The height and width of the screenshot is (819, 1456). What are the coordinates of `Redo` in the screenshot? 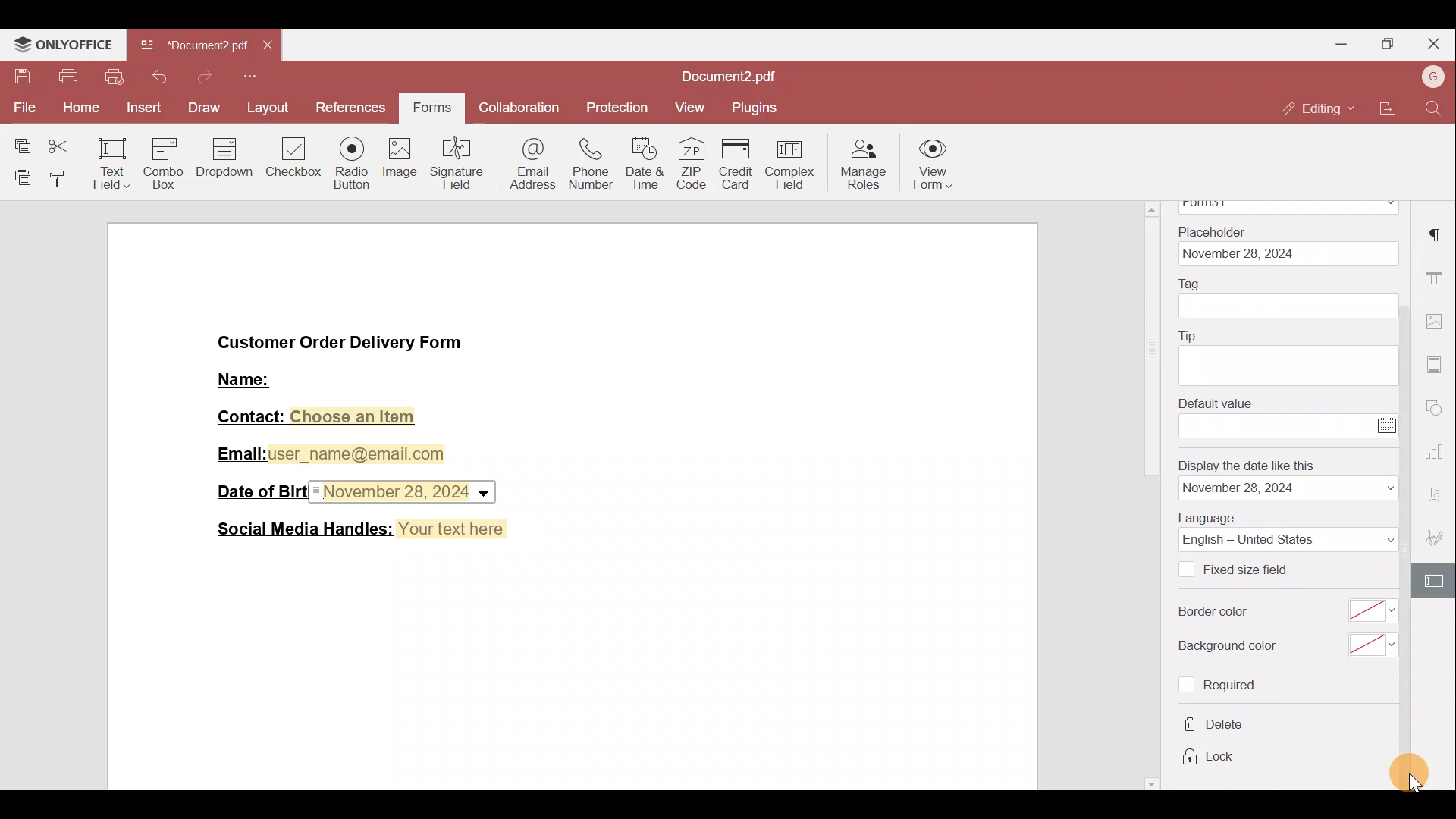 It's located at (199, 81).